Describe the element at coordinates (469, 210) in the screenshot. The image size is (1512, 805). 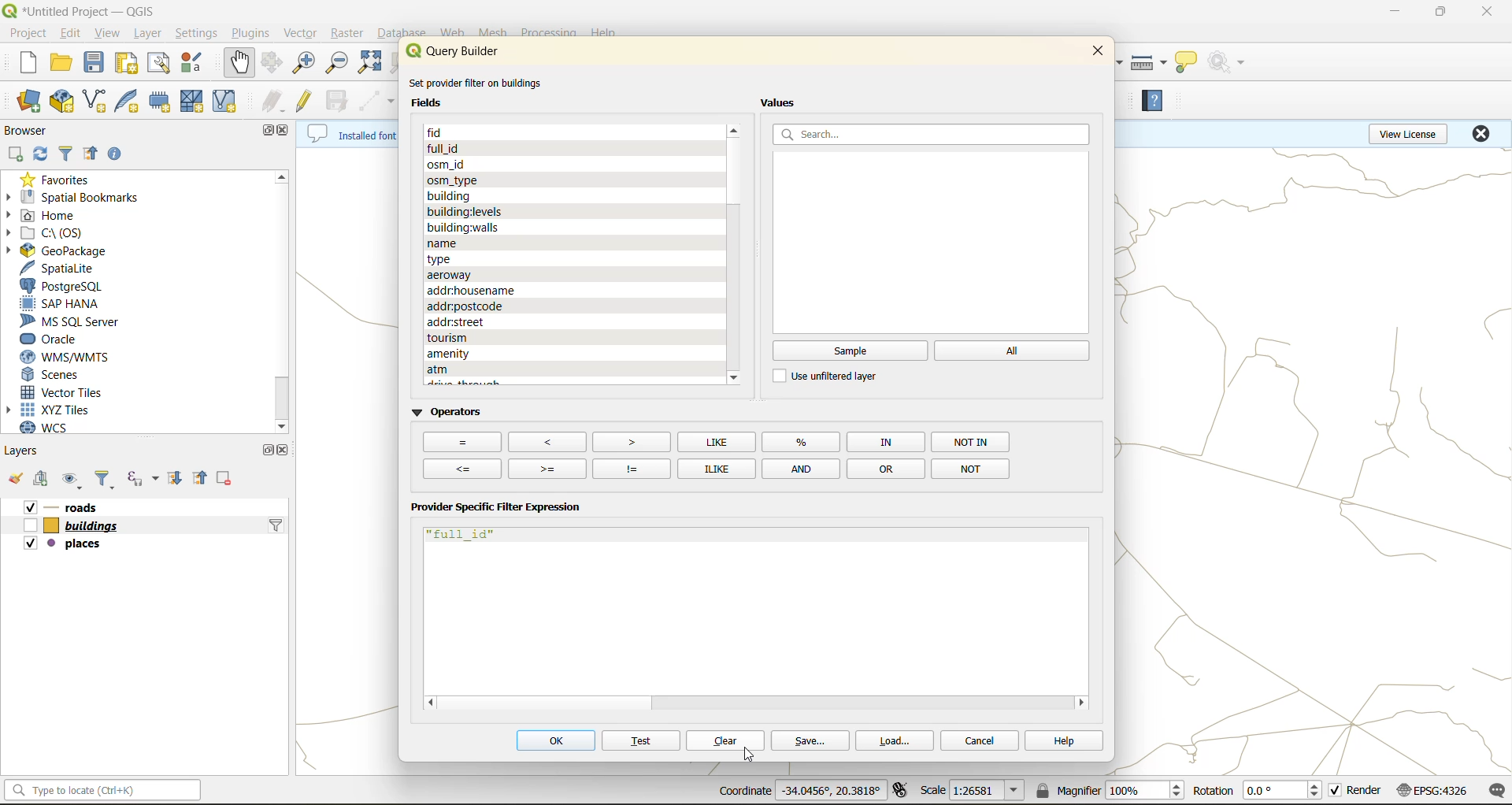
I see `fields` at that location.